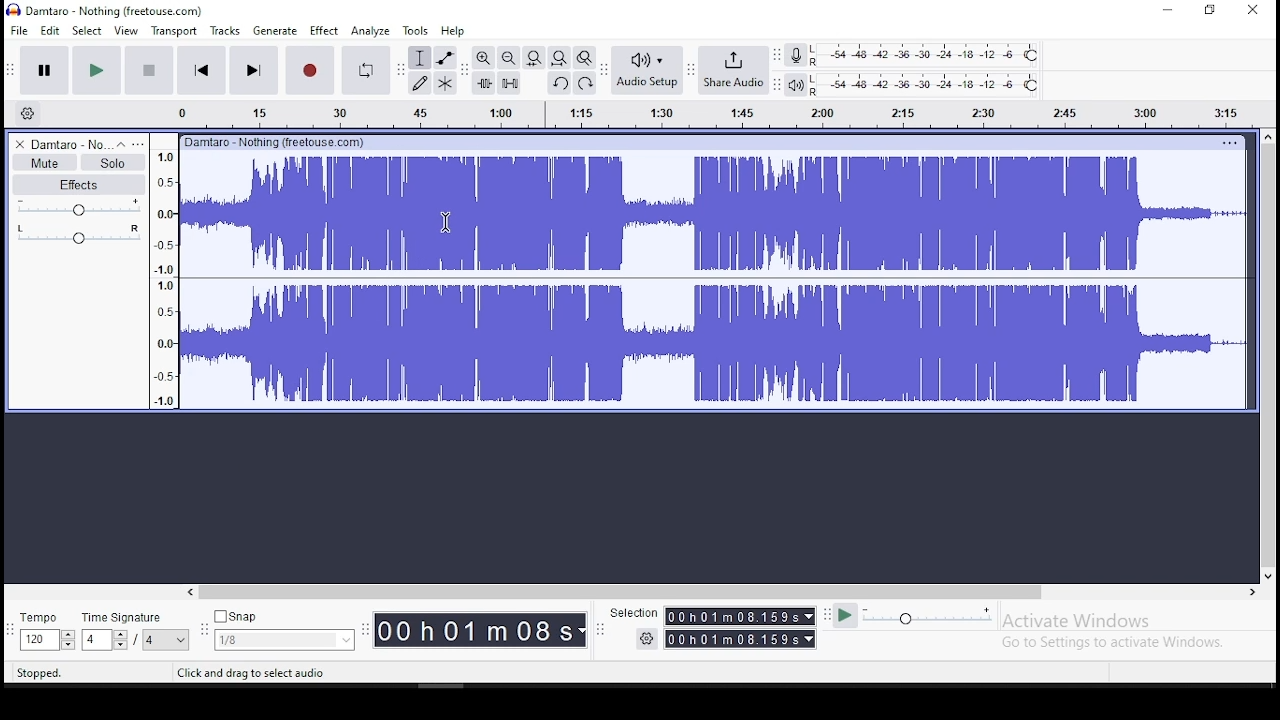 The height and width of the screenshot is (720, 1280). What do you see at coordinates (345, 638) in the screenshot?
I see `Drop down` at bounding box center [345, 638].